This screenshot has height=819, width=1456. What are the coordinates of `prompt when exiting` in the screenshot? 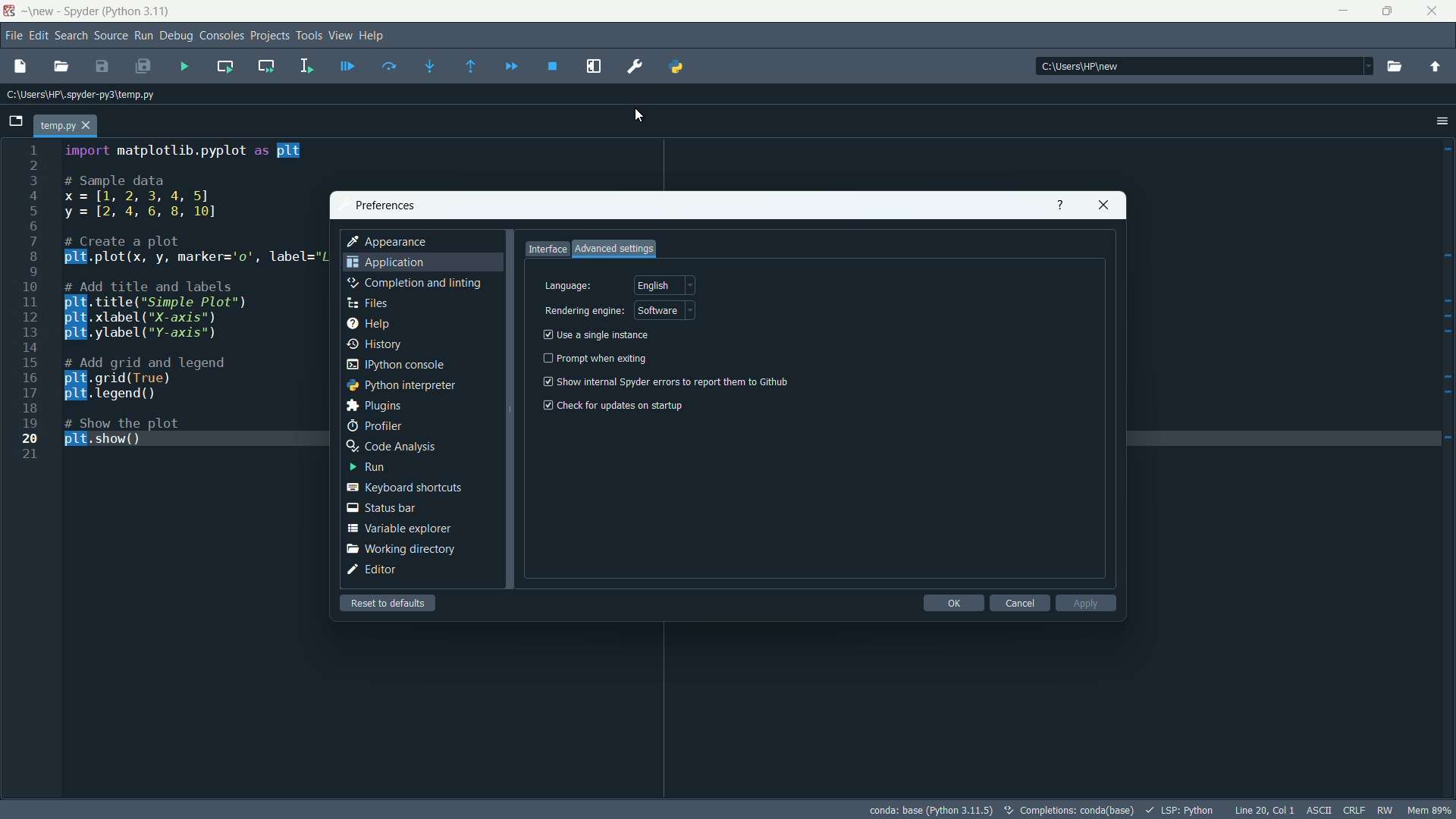 It's located at (599, 358).